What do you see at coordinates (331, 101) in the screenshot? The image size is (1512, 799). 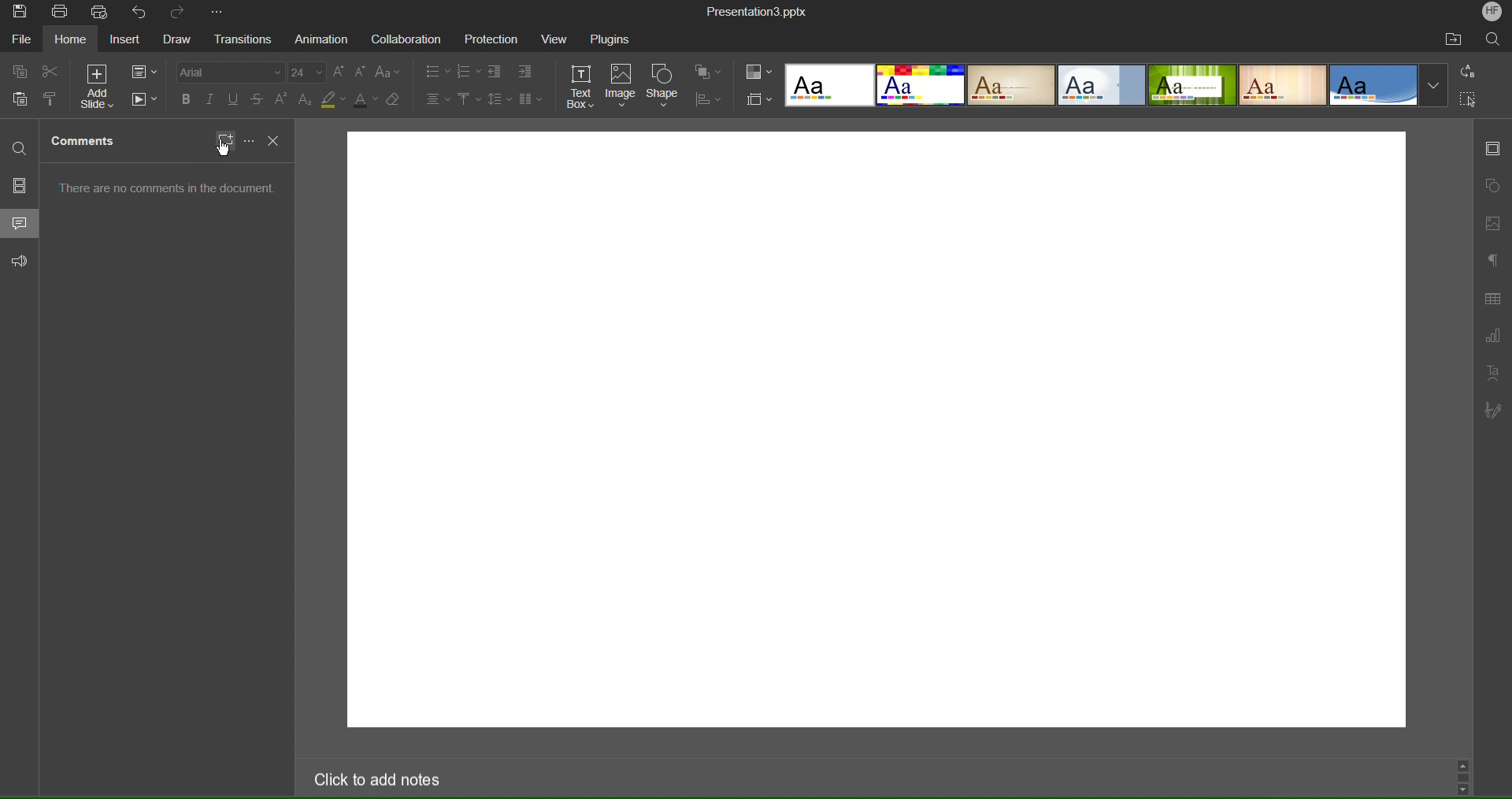 I see `Highlight` at bounding box center [331, 101].